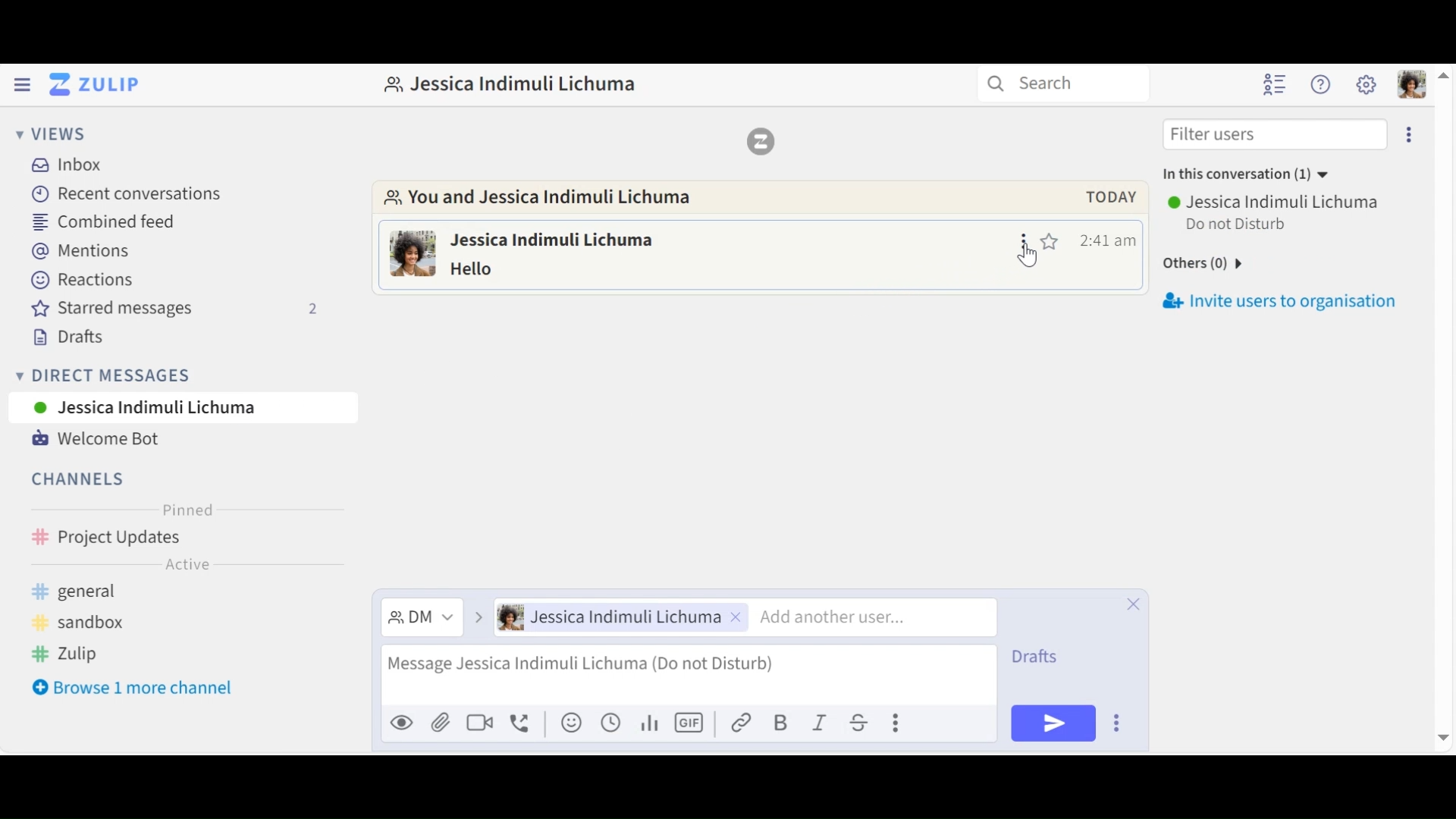 Image resolution: width=1456 pixels, height=819 pixels. I want to click on Channels, so click(80, 481).